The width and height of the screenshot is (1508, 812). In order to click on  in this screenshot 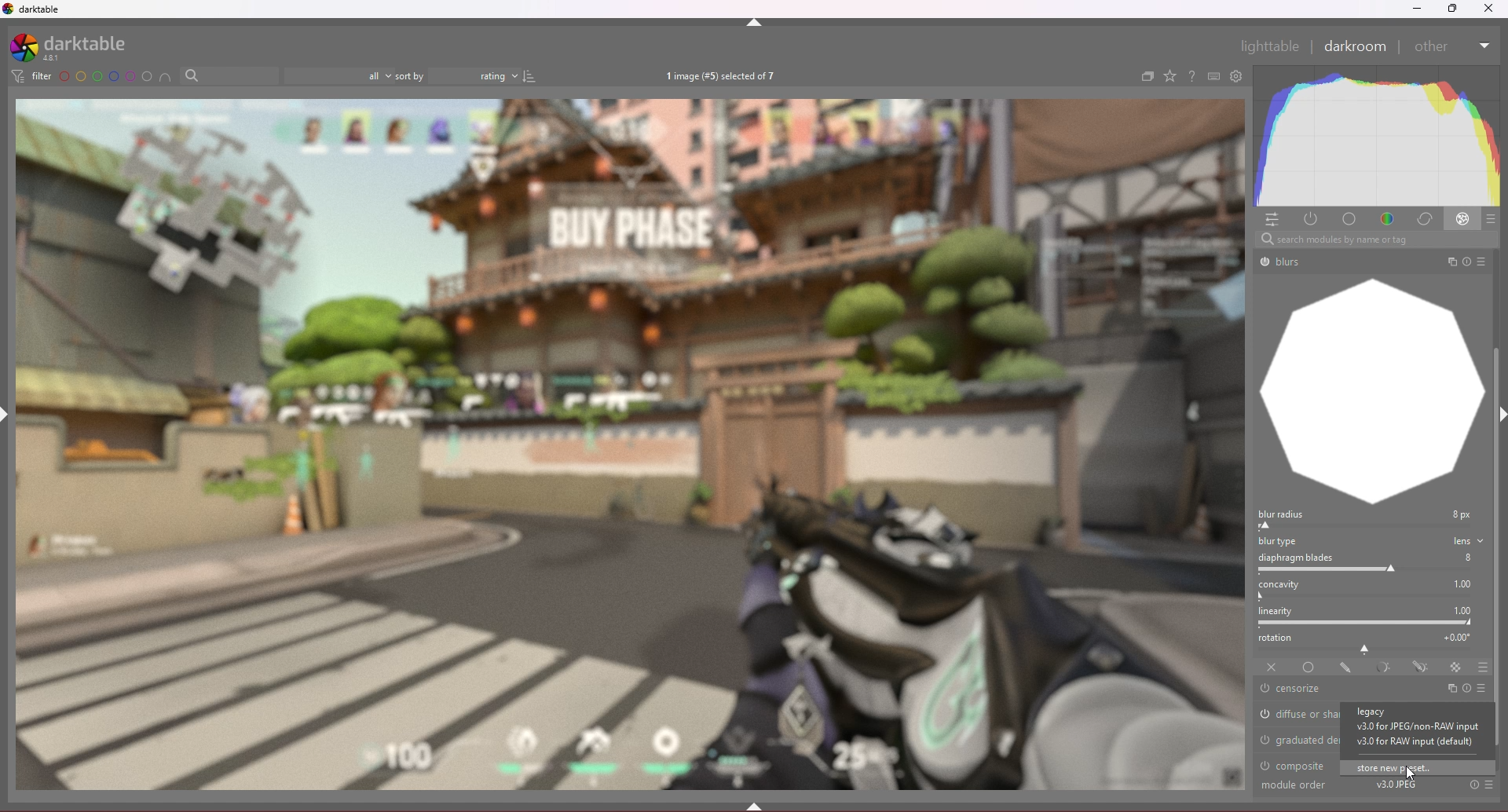, I will do `click(1489, 9)`.